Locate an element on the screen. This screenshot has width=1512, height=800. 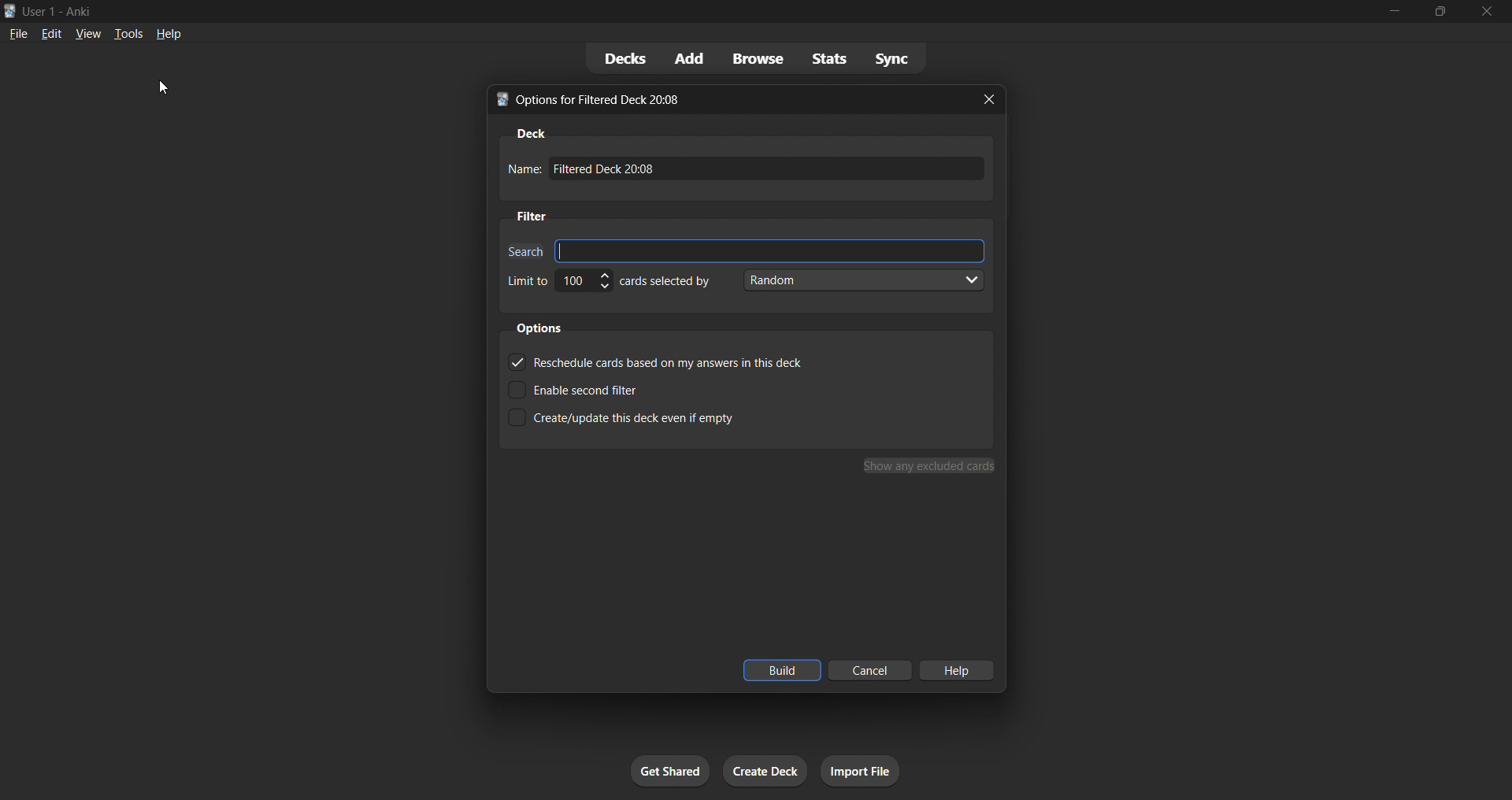
maximize/restore is located at coordinates (1441, 10).